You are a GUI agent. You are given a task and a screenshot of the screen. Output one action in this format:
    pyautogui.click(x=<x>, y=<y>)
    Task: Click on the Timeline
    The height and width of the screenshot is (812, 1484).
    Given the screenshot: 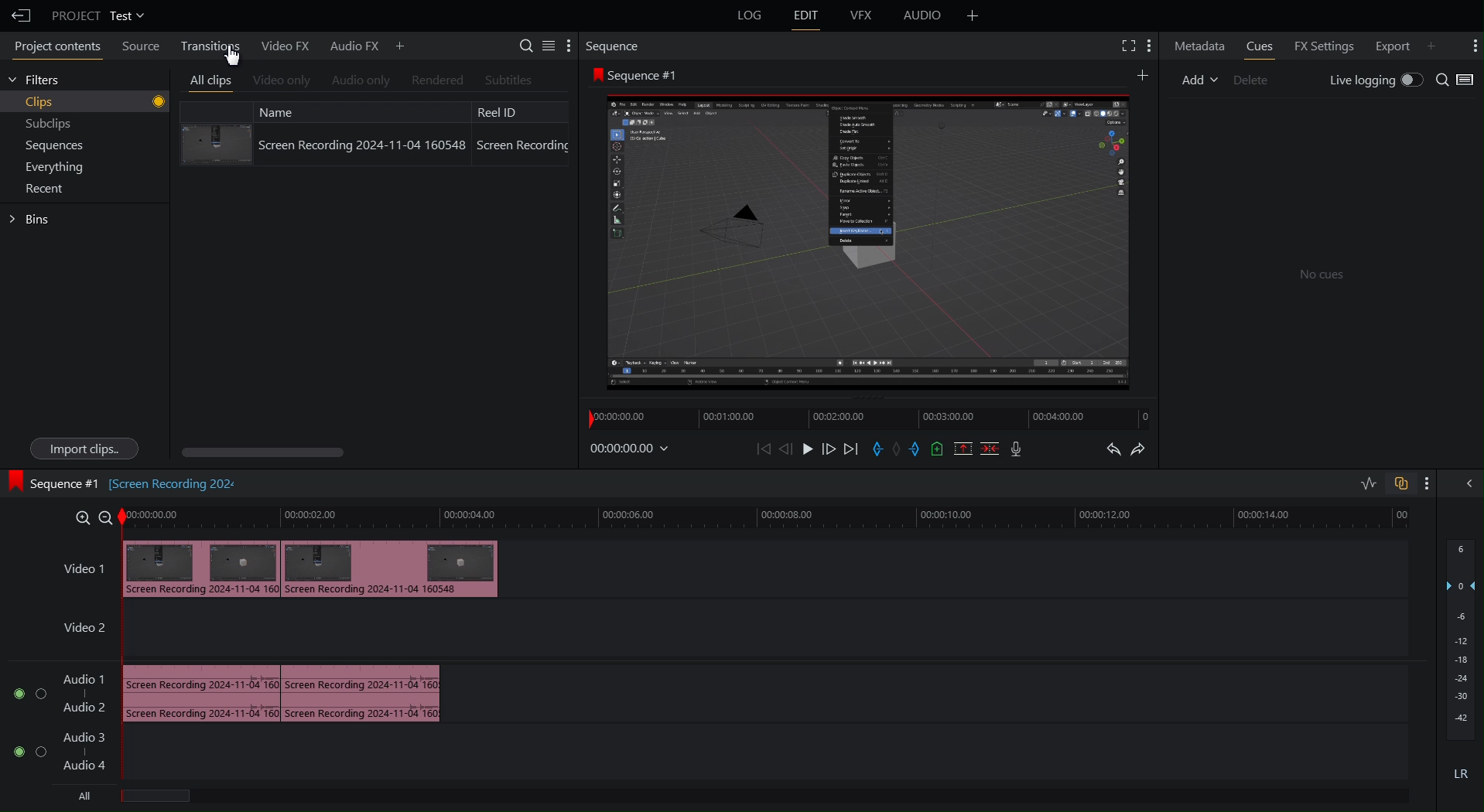 What is the action you would take?
    pyautogui.click(x=854, y=421)
    